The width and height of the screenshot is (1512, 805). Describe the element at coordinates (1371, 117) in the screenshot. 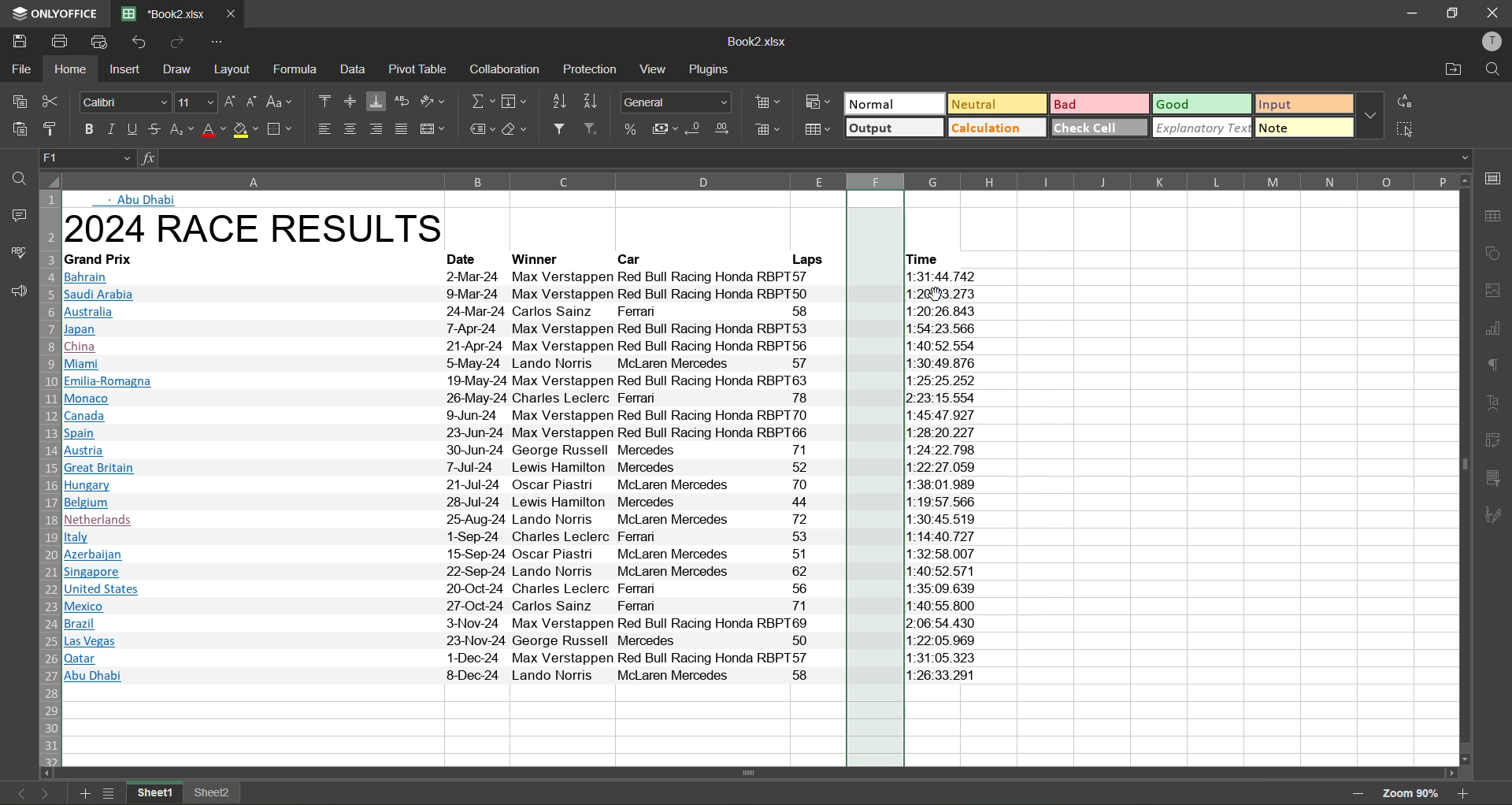

I see `more options` at that location.